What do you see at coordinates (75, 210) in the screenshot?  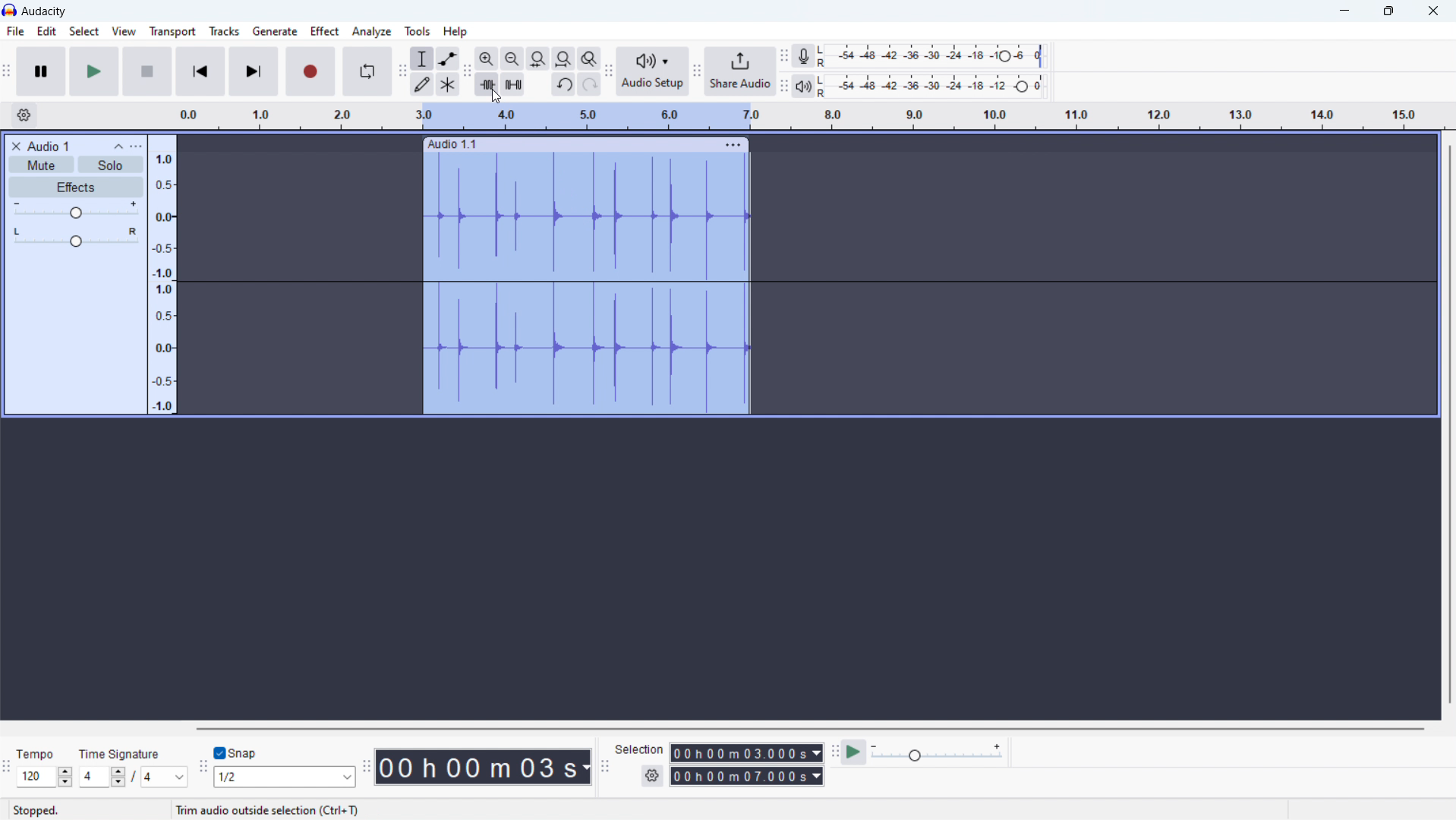 I see `volume` at bounding box center [75, 210].